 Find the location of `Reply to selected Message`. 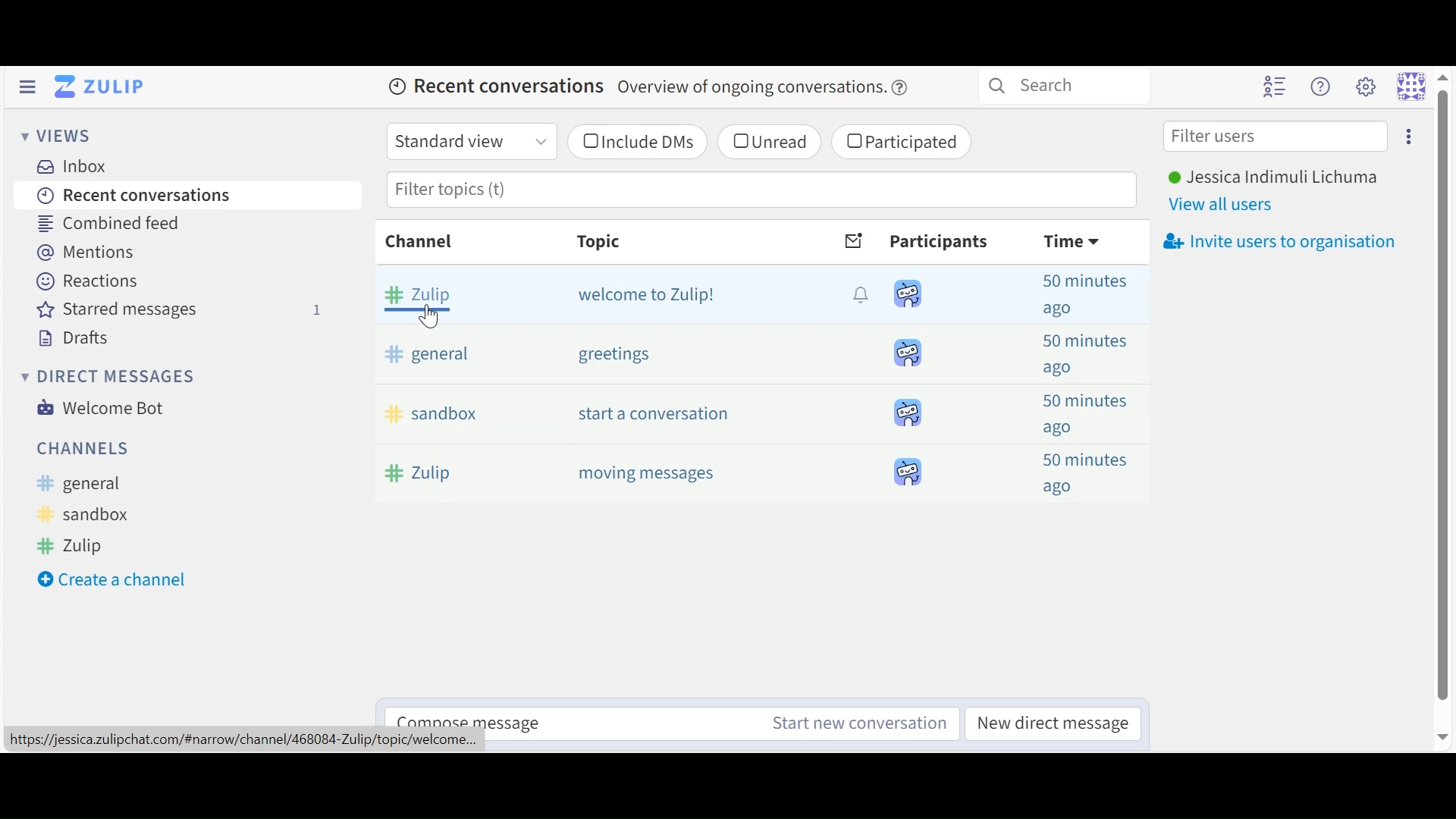

Reply to selected Message is located at coordinates (576, 717).